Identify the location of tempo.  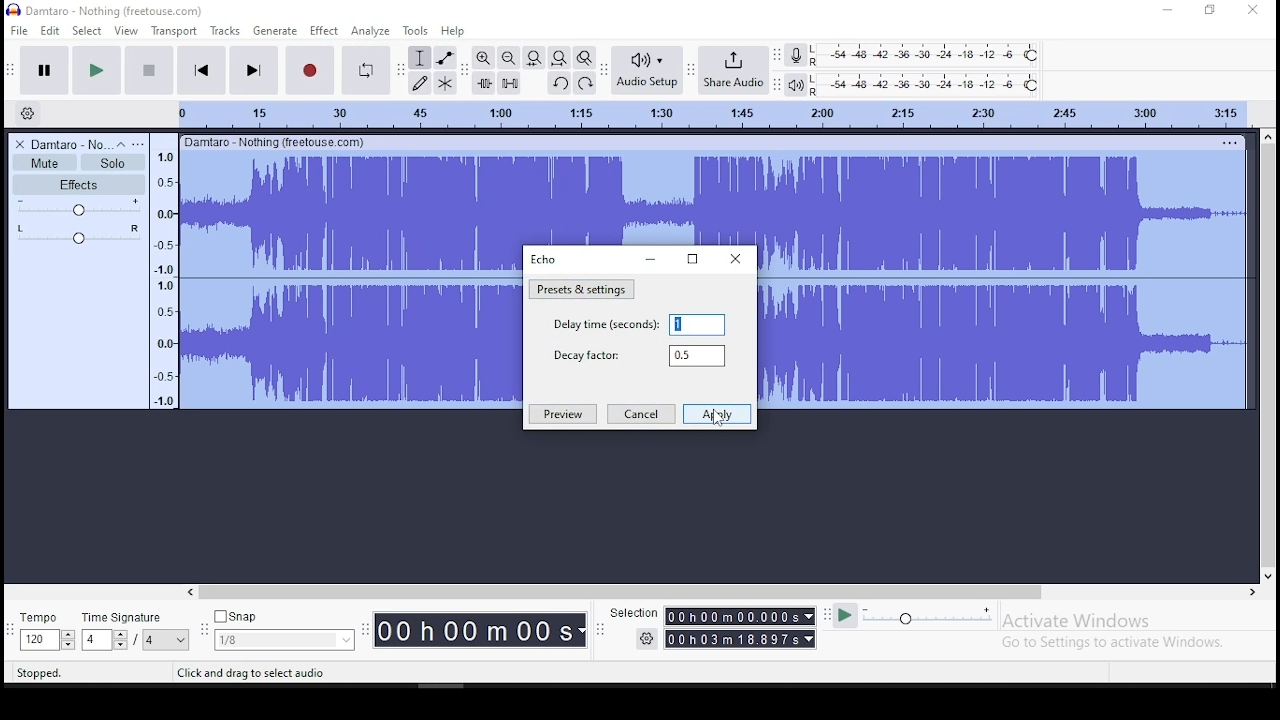
(48, 618).